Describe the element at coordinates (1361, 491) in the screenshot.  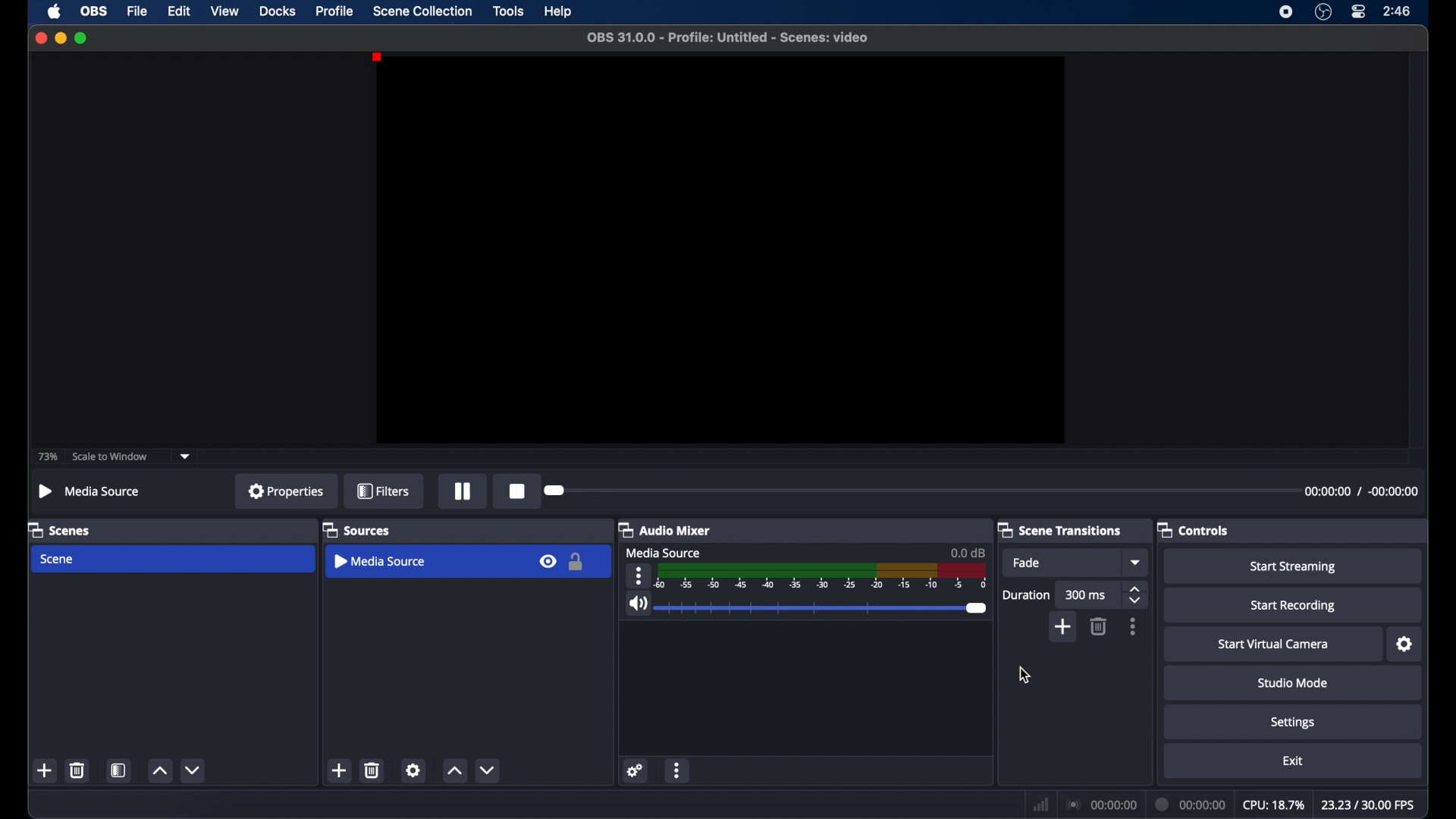
I see `duration` at that location.